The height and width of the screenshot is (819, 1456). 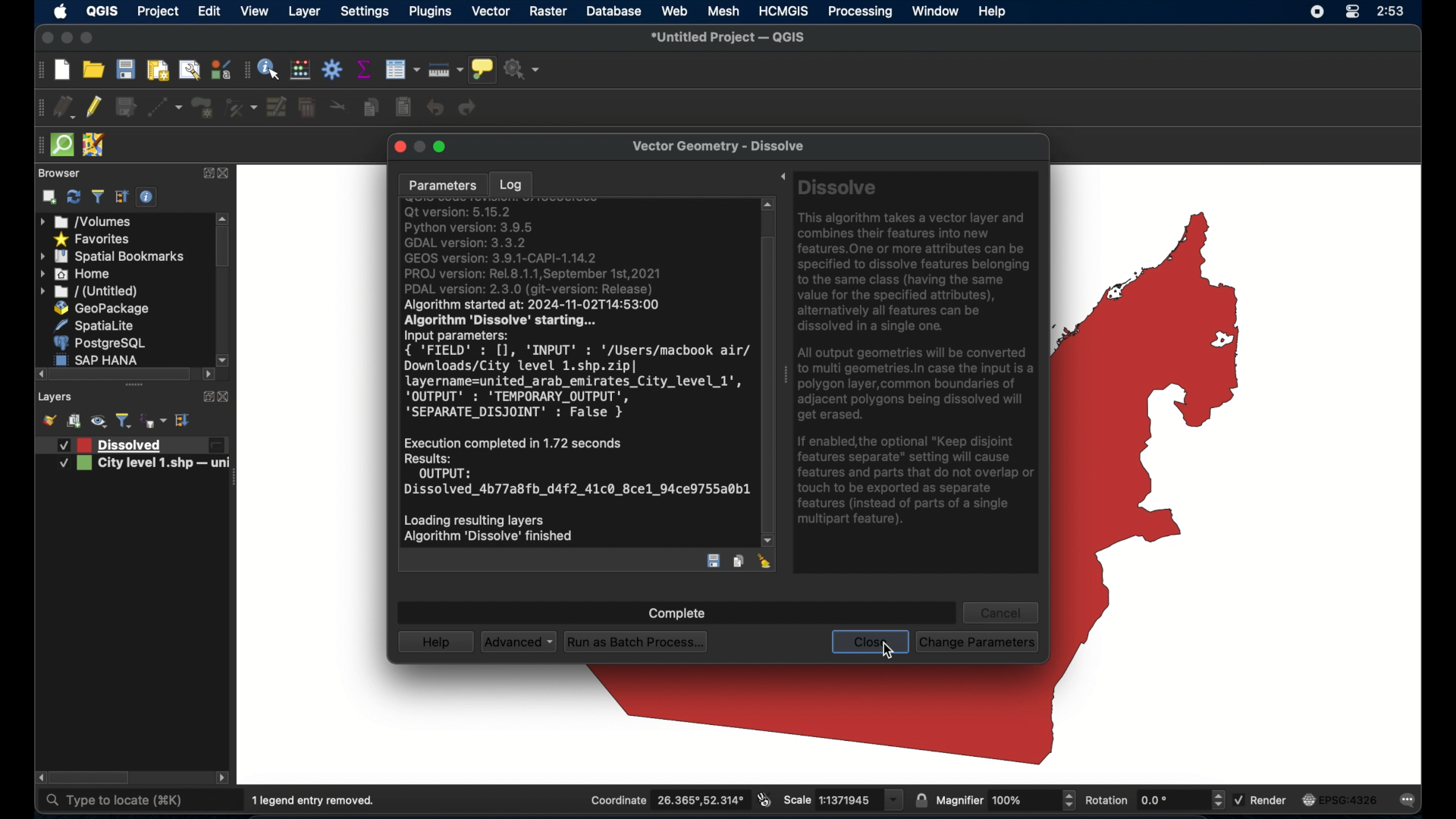 I want to click on close, so click(x=398, y=148).